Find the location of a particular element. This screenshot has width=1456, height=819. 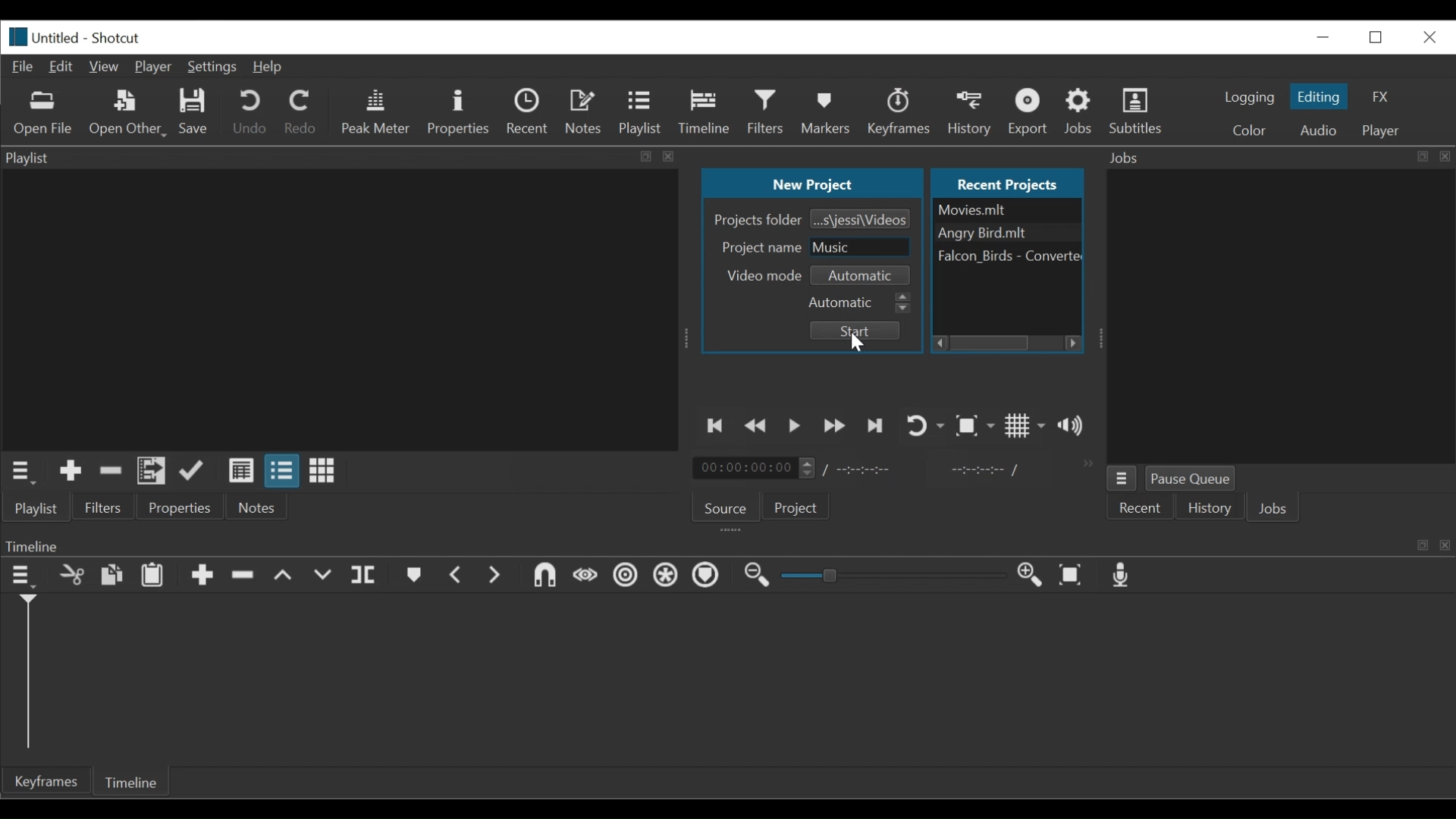

Play backward quickly is located at coordinates (757, 428).